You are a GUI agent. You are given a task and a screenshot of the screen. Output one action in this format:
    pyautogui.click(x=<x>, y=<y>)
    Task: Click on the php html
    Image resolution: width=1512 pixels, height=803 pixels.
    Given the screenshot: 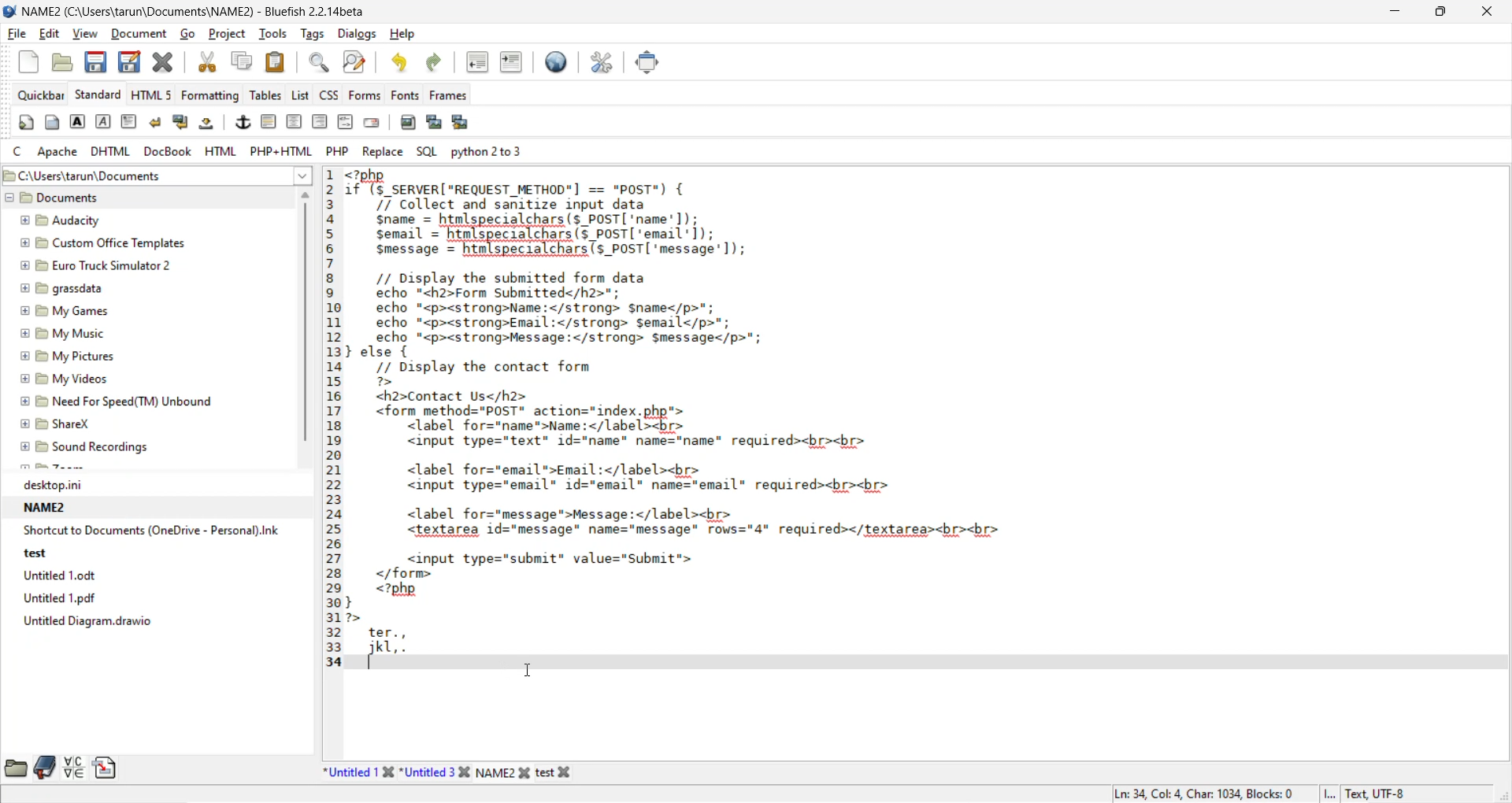 What is the action you would take?
    pyautogui.click(x=283, y=149)
    